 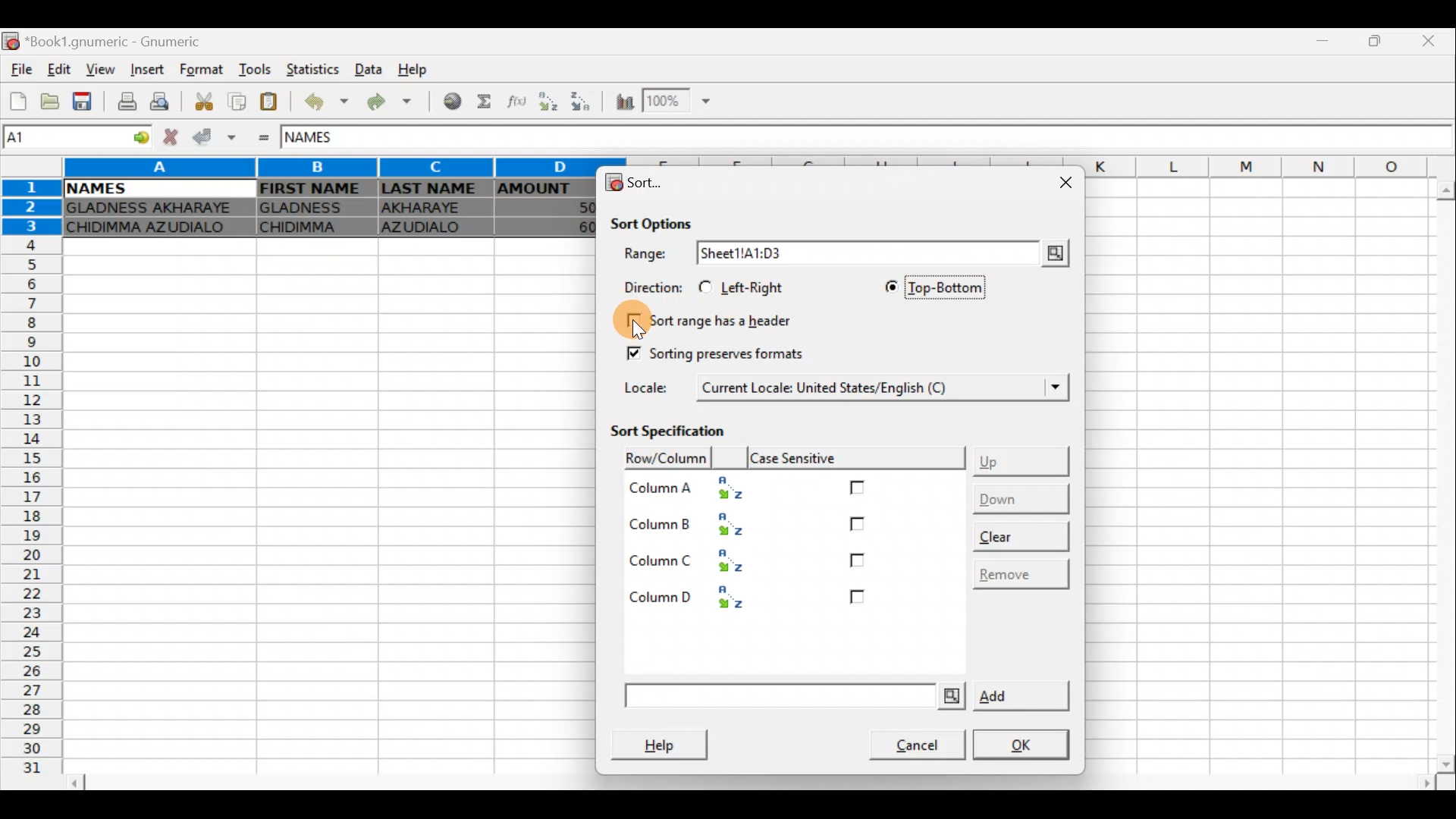 I want to click on File, so click(x=21, y=71).